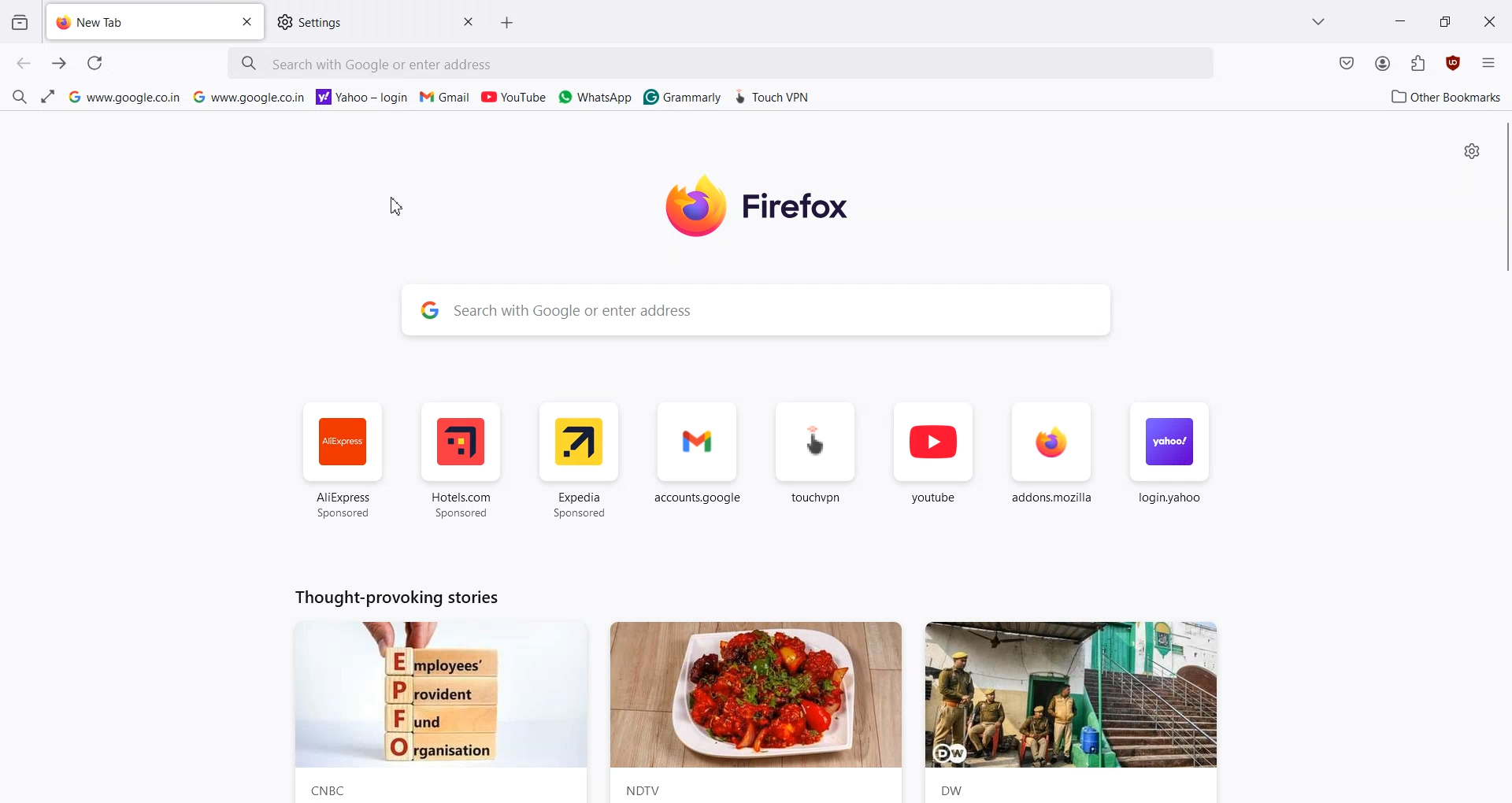  What do you see at coordinates (250, 96) in the screenshot?
I see `Google Bookmark` at bounding box center [250, 96].